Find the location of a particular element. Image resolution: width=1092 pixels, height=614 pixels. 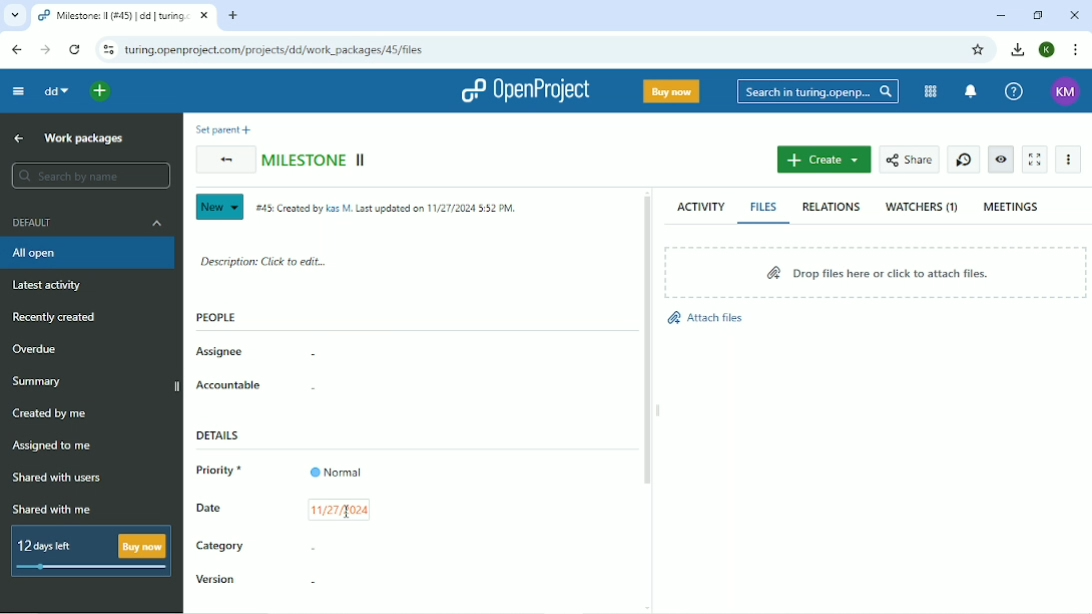

Category is located at coordinates (220, 548).